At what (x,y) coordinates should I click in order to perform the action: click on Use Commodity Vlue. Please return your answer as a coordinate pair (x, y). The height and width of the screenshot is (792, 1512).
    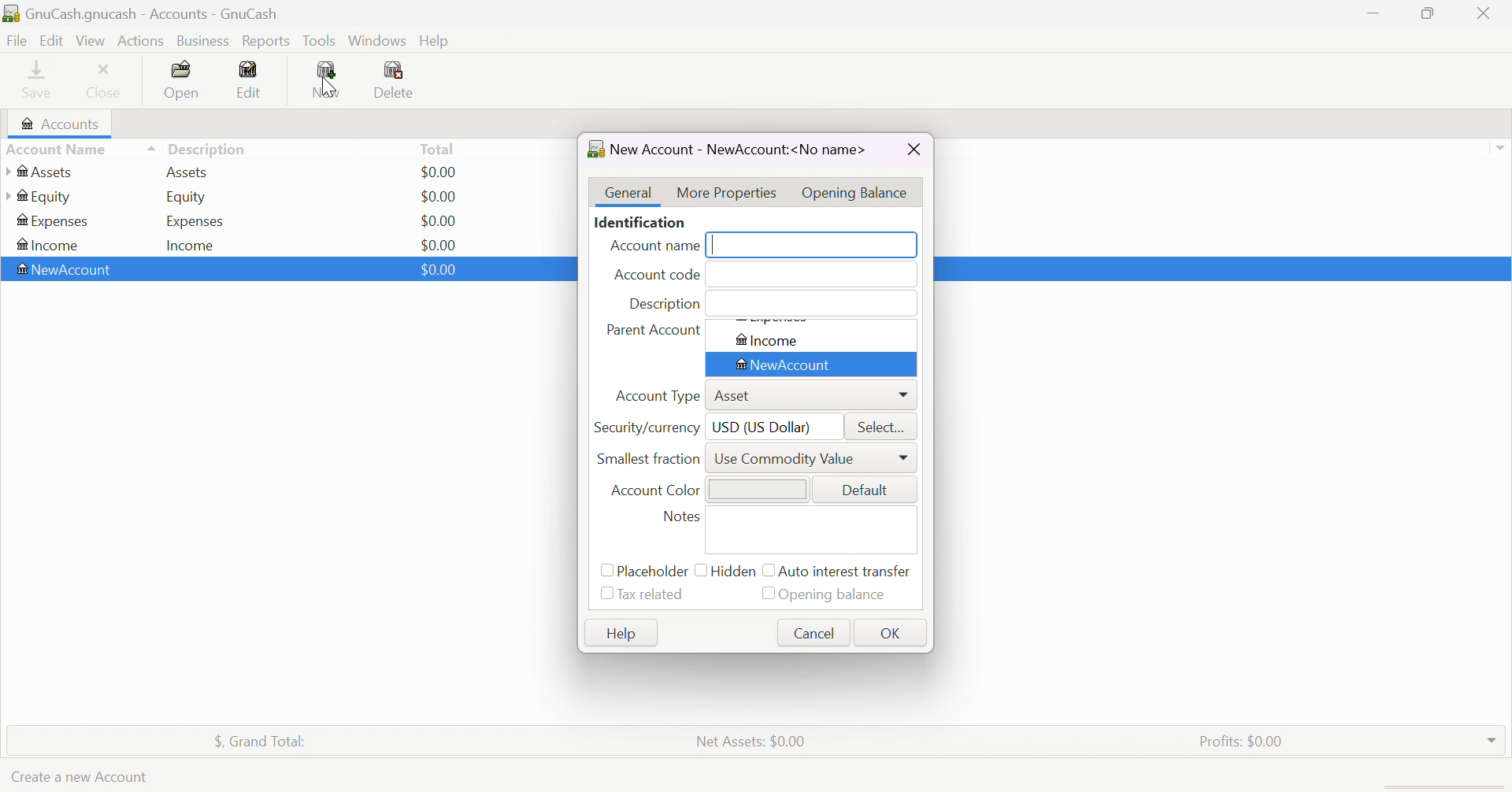
    Looking at the image, I should click on (786, 459).